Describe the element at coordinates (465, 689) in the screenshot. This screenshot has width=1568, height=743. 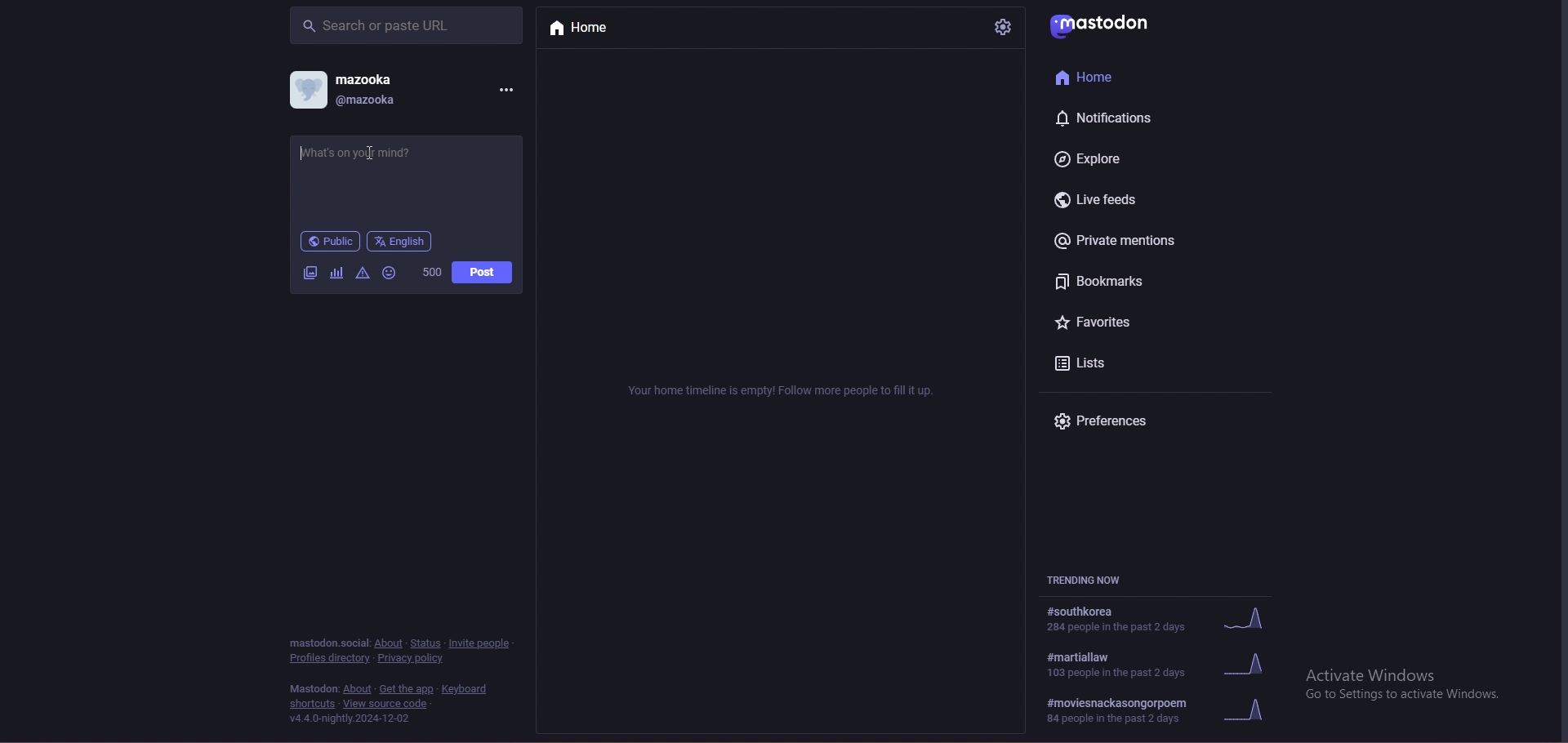
I see `keyboard` at that location.